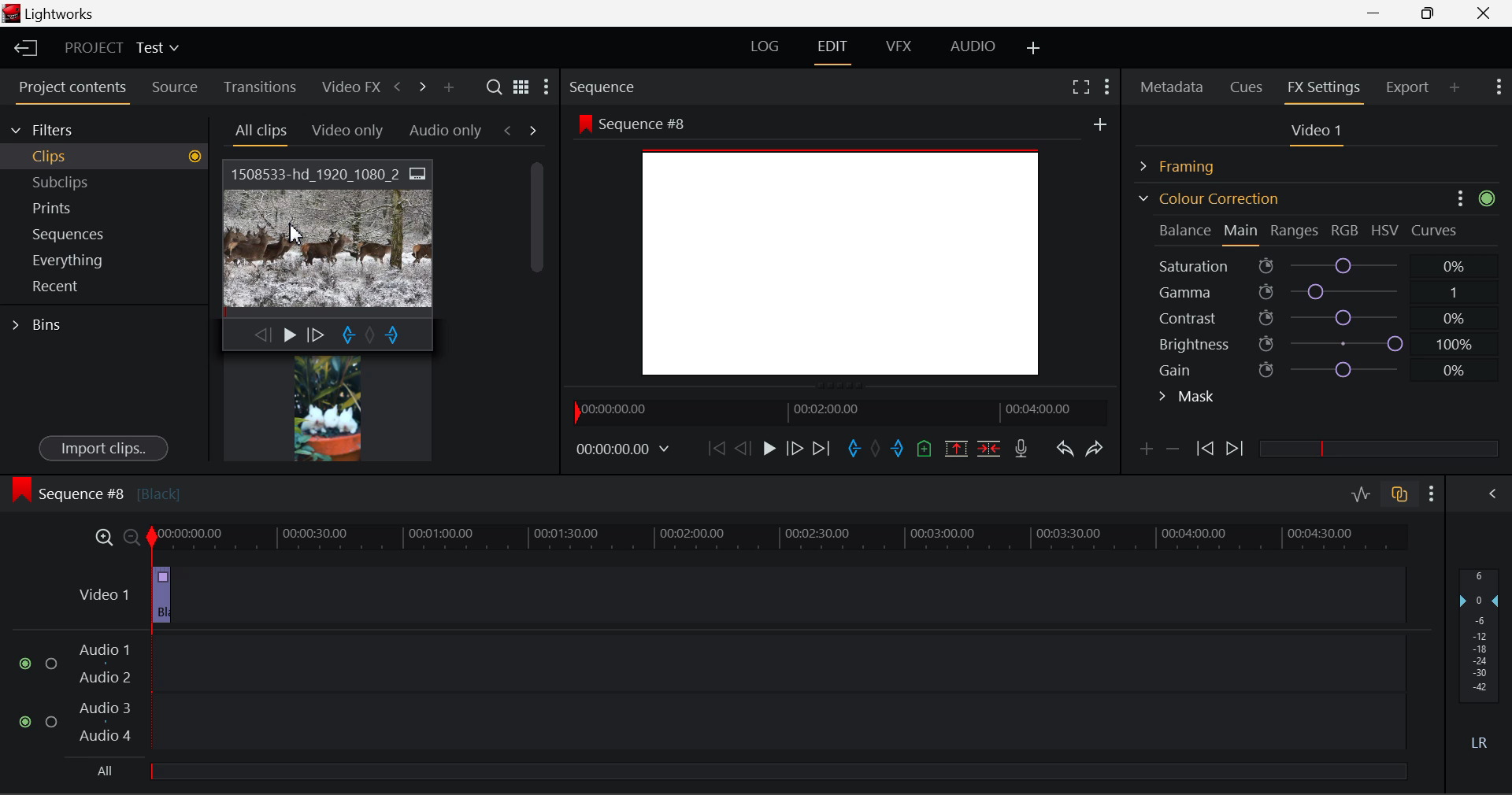  I want to click on Metadata Panel, so click(1173, 84).